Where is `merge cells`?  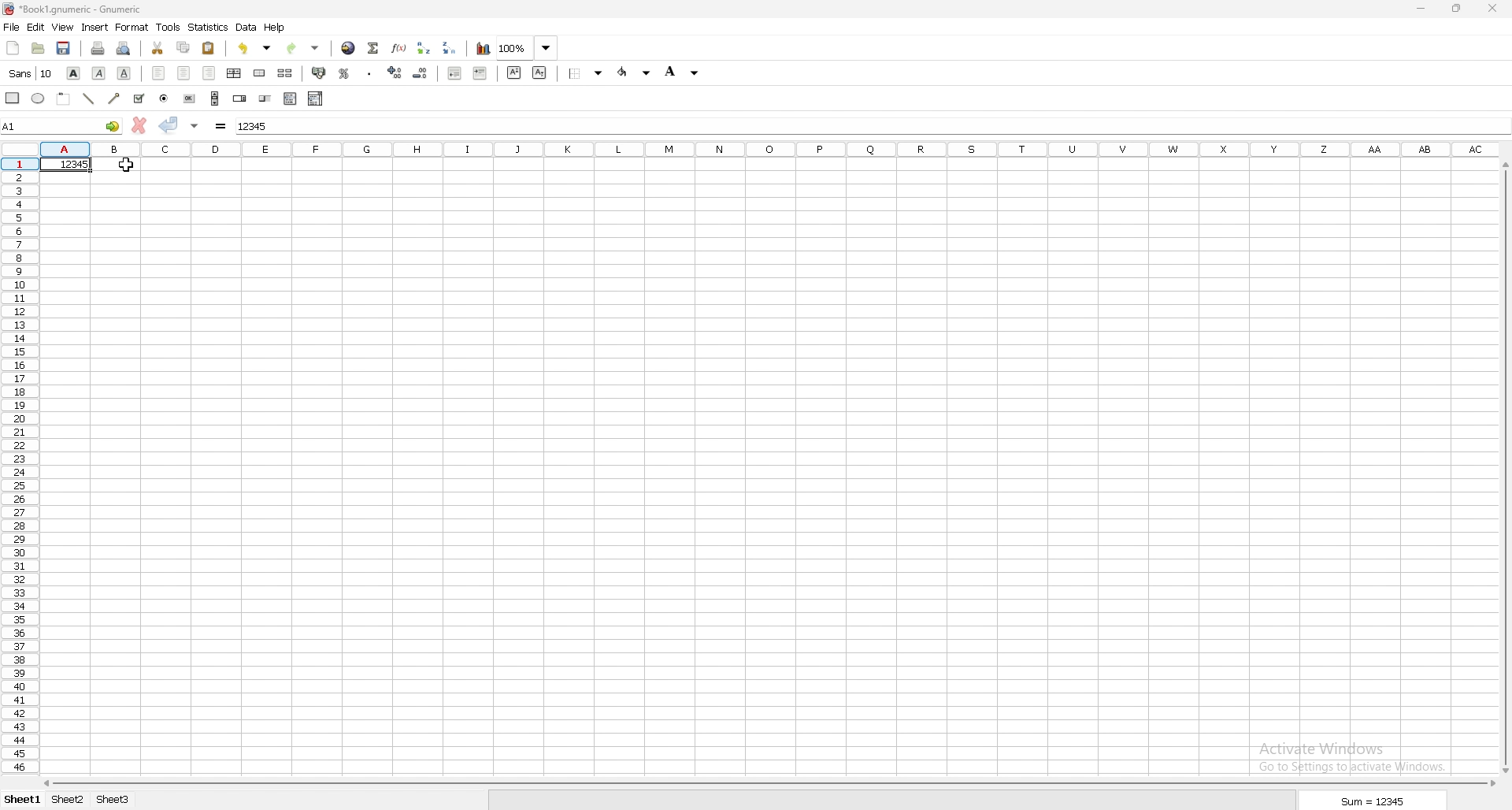
merge cells is located at coordinates (259, 73).